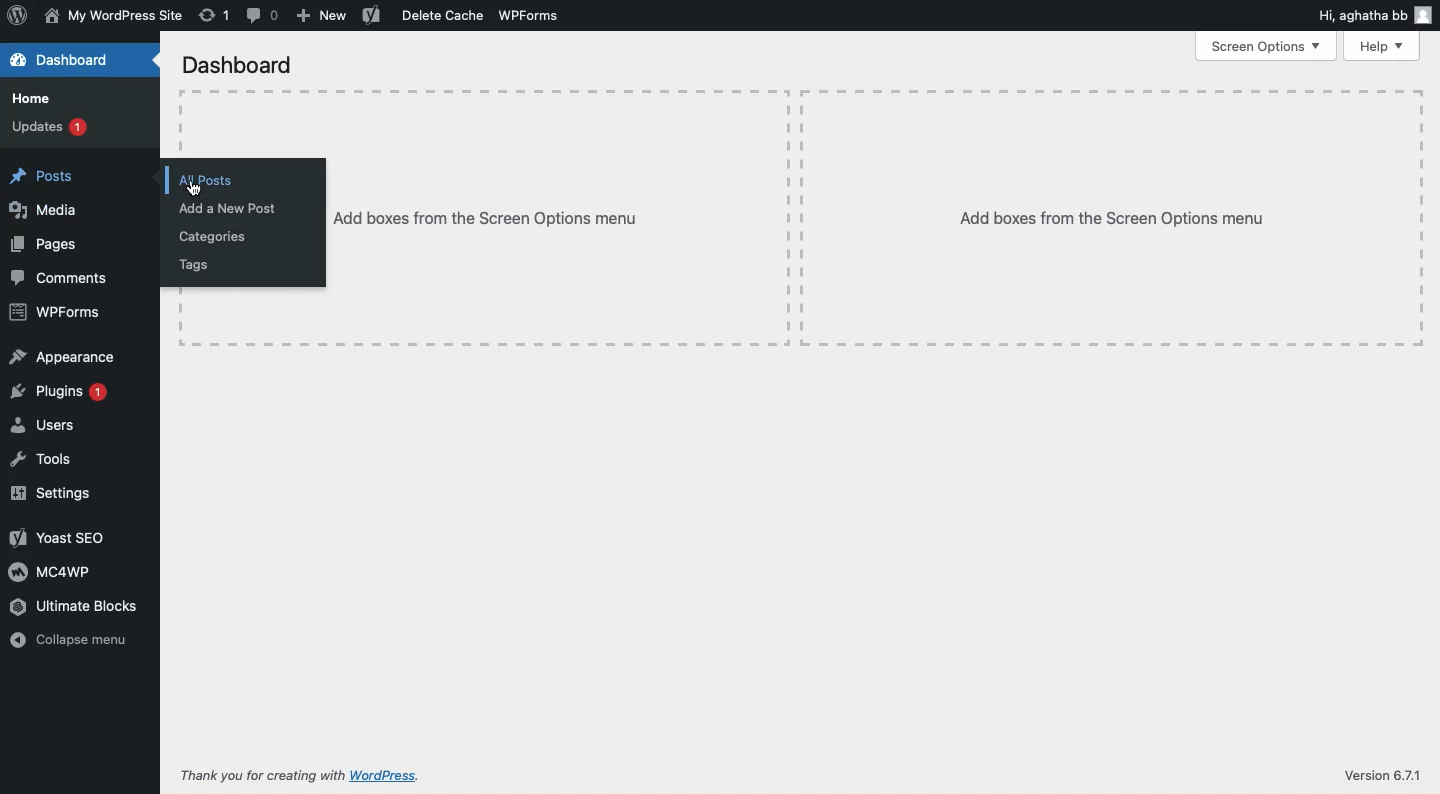 The height and width of the screenshot is (794, 1440). What do you see at coordinates (67, 61) in the screenshot?
I see `Dashboard` at bounding box center [67, 61].